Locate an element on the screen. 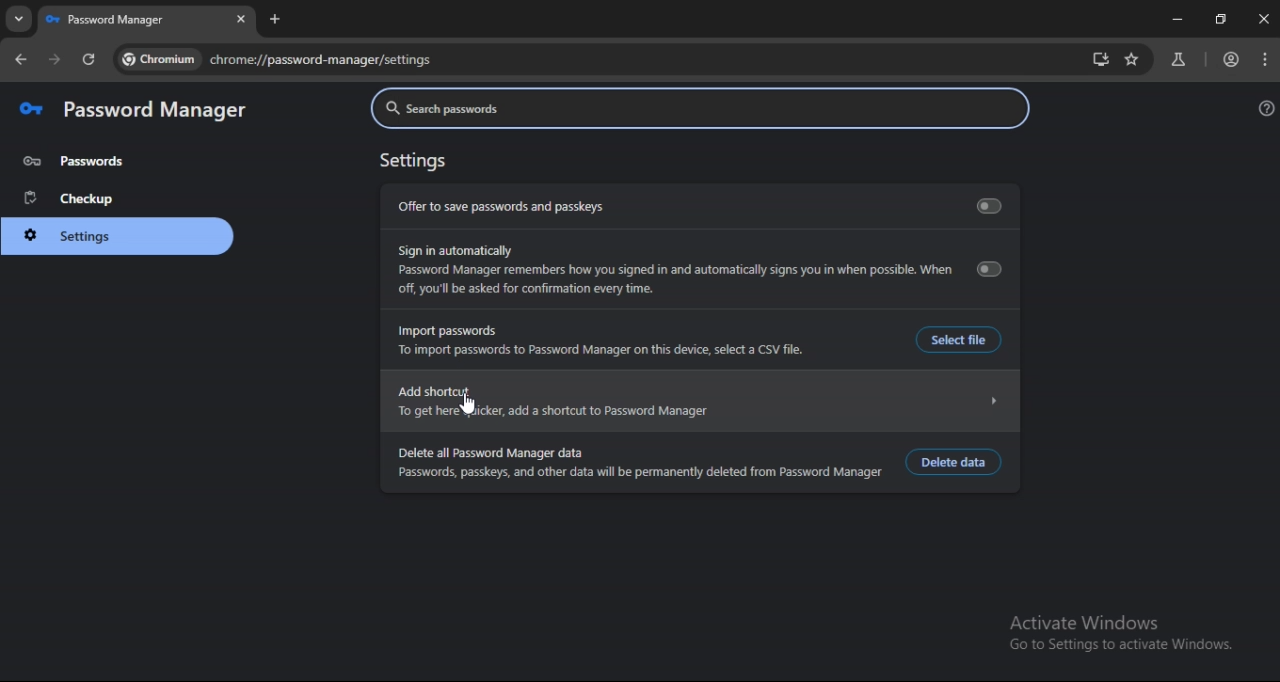  go back one page is located at coordinates (21, 60).